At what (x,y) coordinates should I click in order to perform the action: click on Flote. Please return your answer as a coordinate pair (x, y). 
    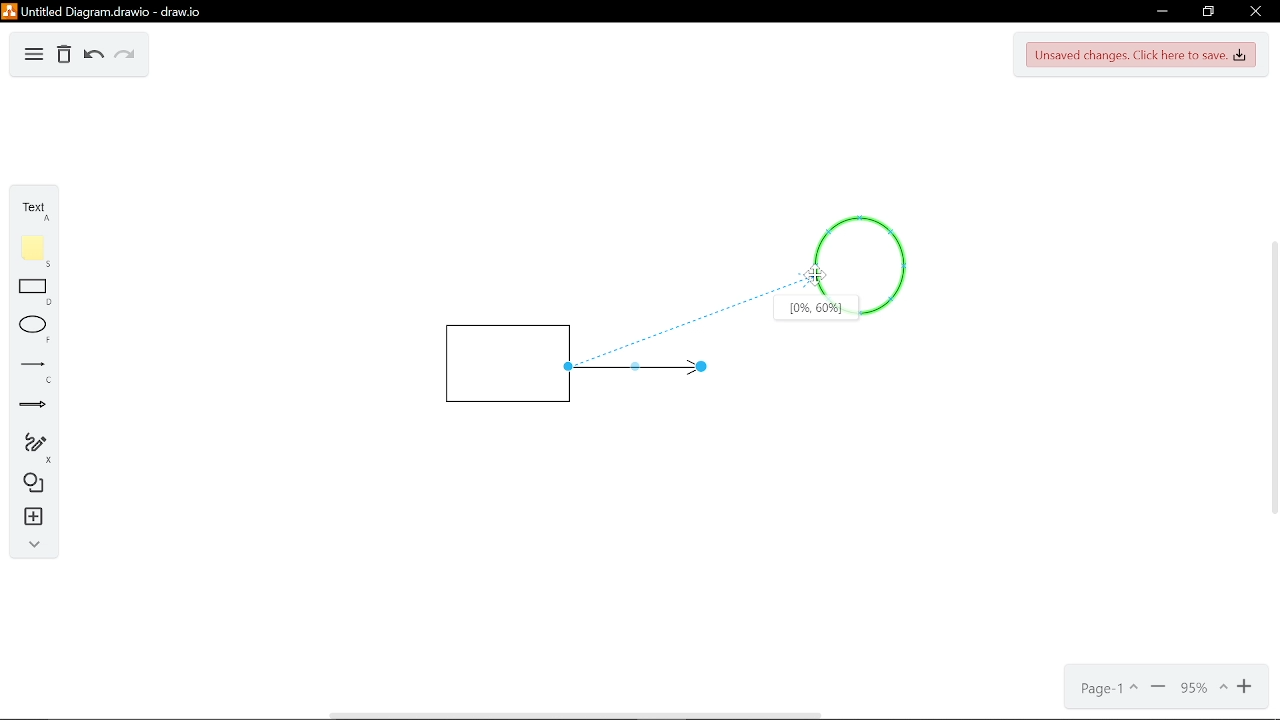
    Looking at the image, I should click on (30, 251).